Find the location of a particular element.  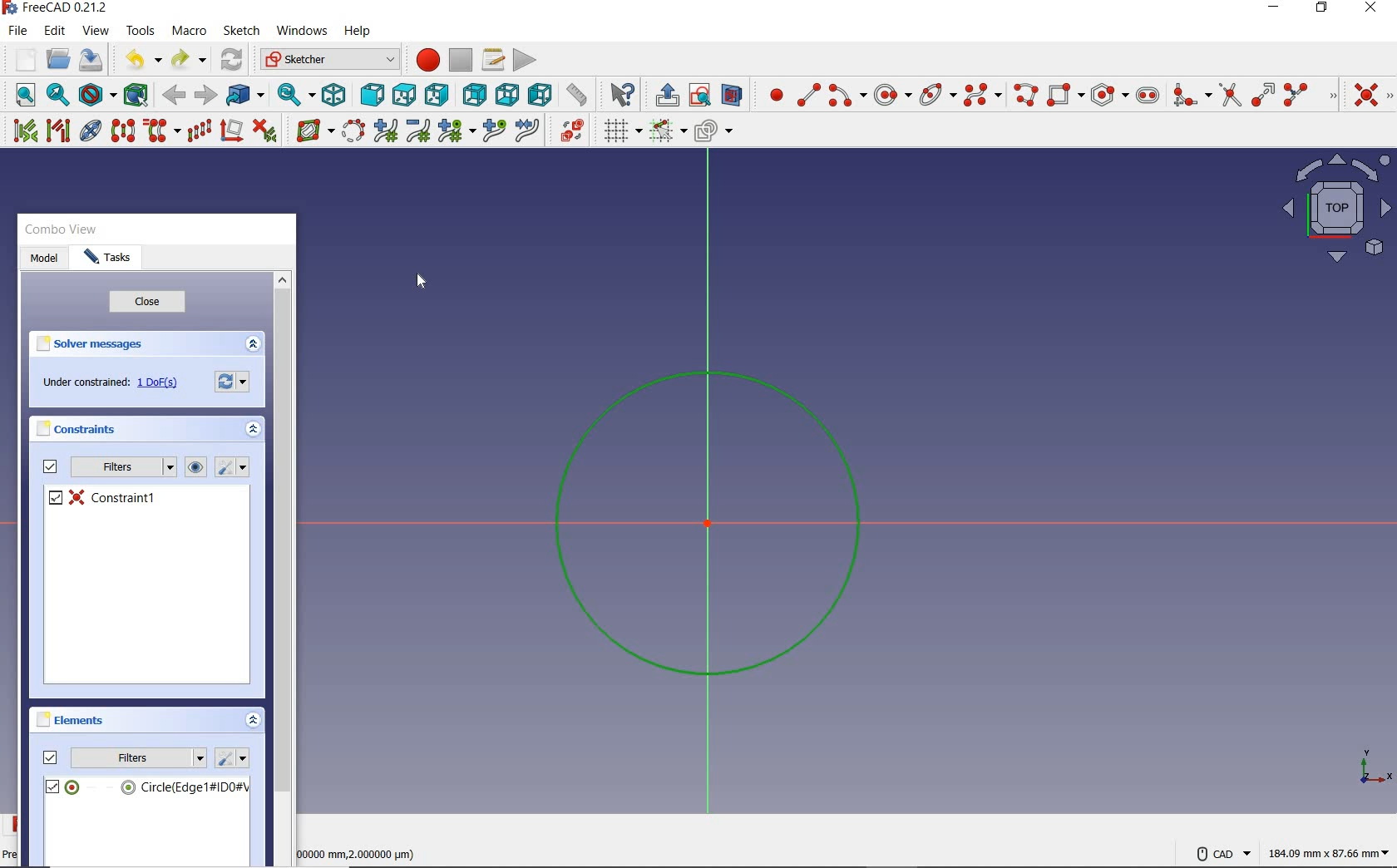

combo view is located at coordinates (65, 231).